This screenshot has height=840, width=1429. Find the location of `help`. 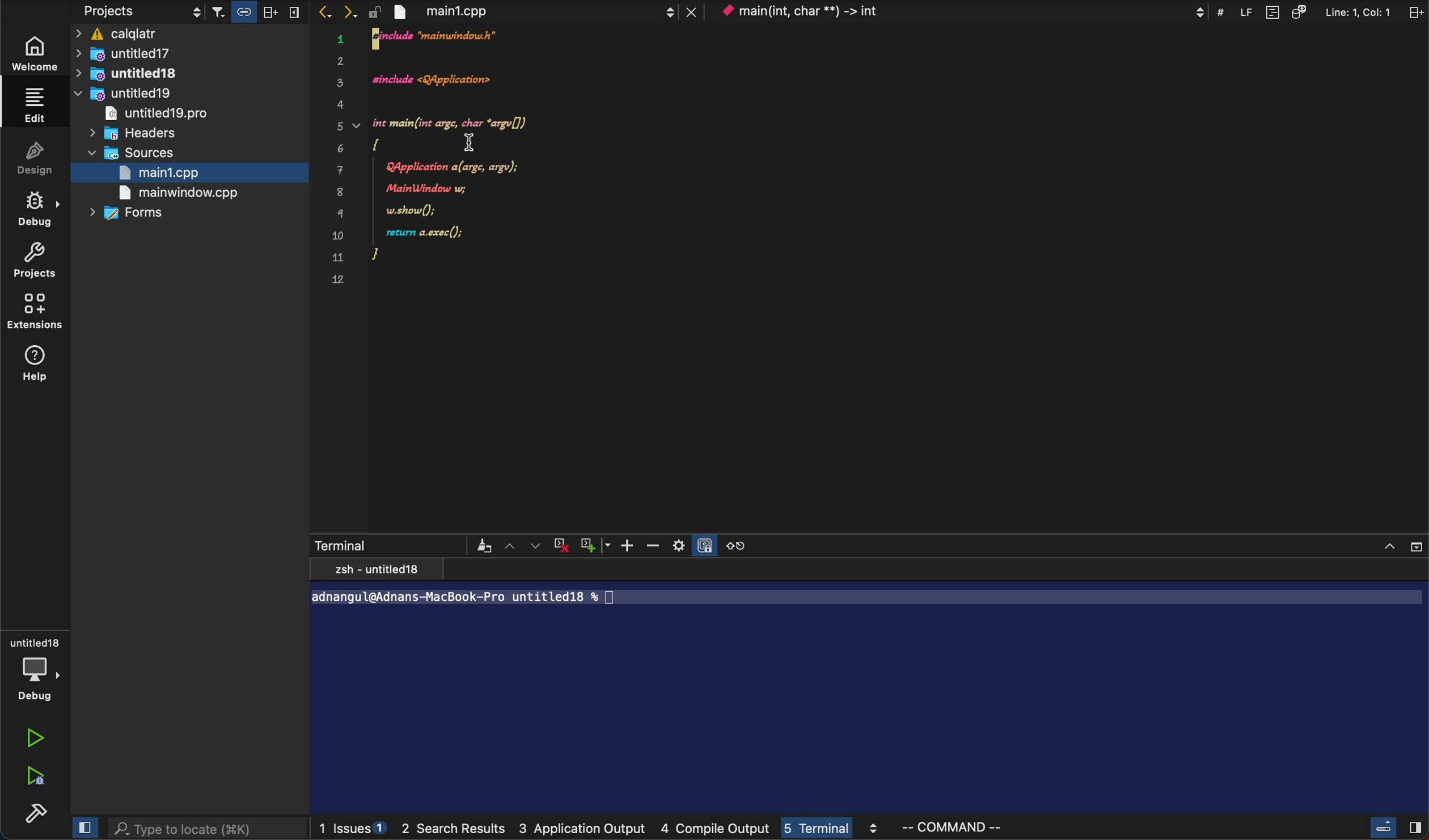

help is located at coordinates (41, 363).